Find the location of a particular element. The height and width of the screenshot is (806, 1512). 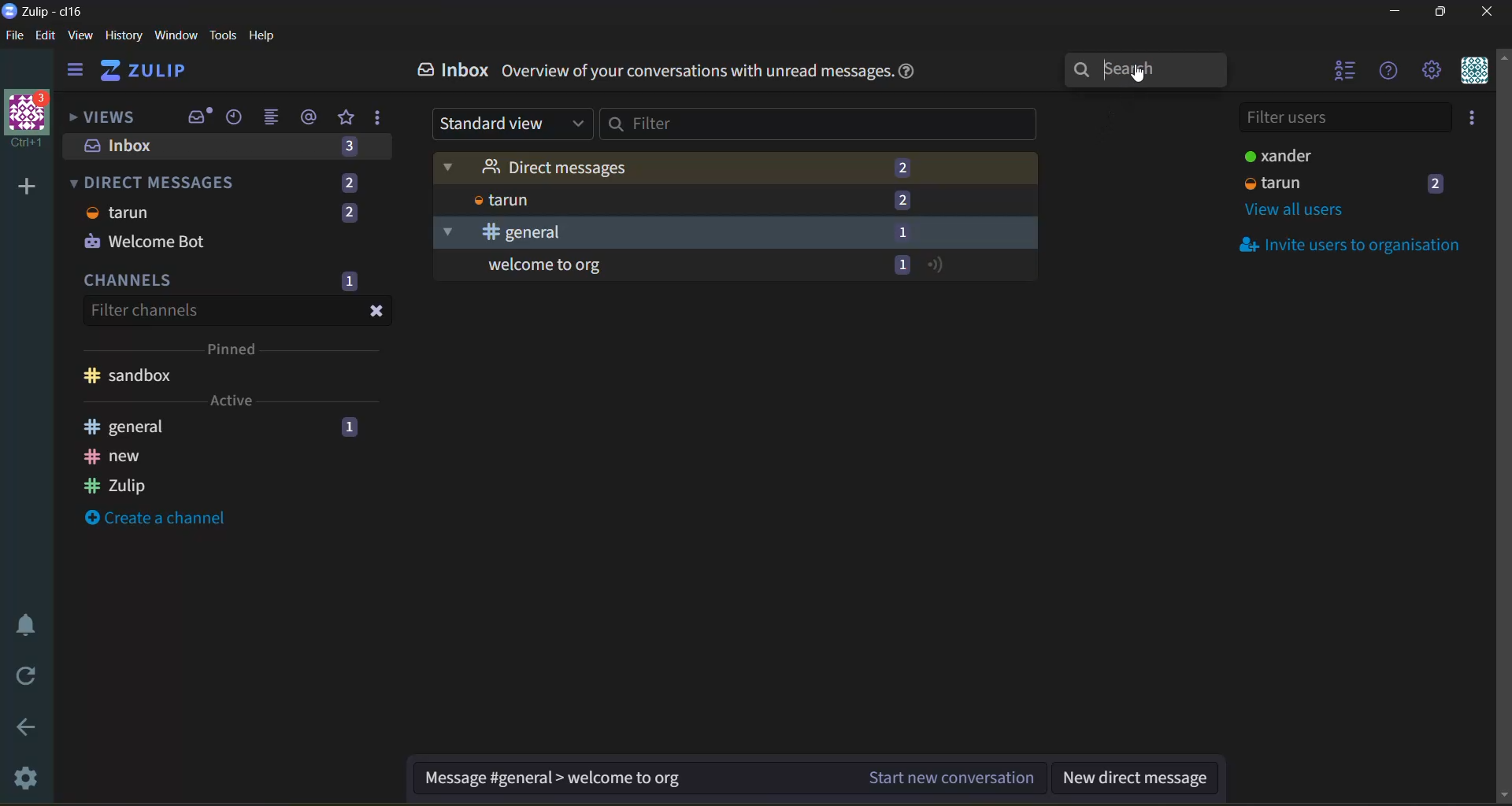

ZULIP is located at coordinates (146, 70).